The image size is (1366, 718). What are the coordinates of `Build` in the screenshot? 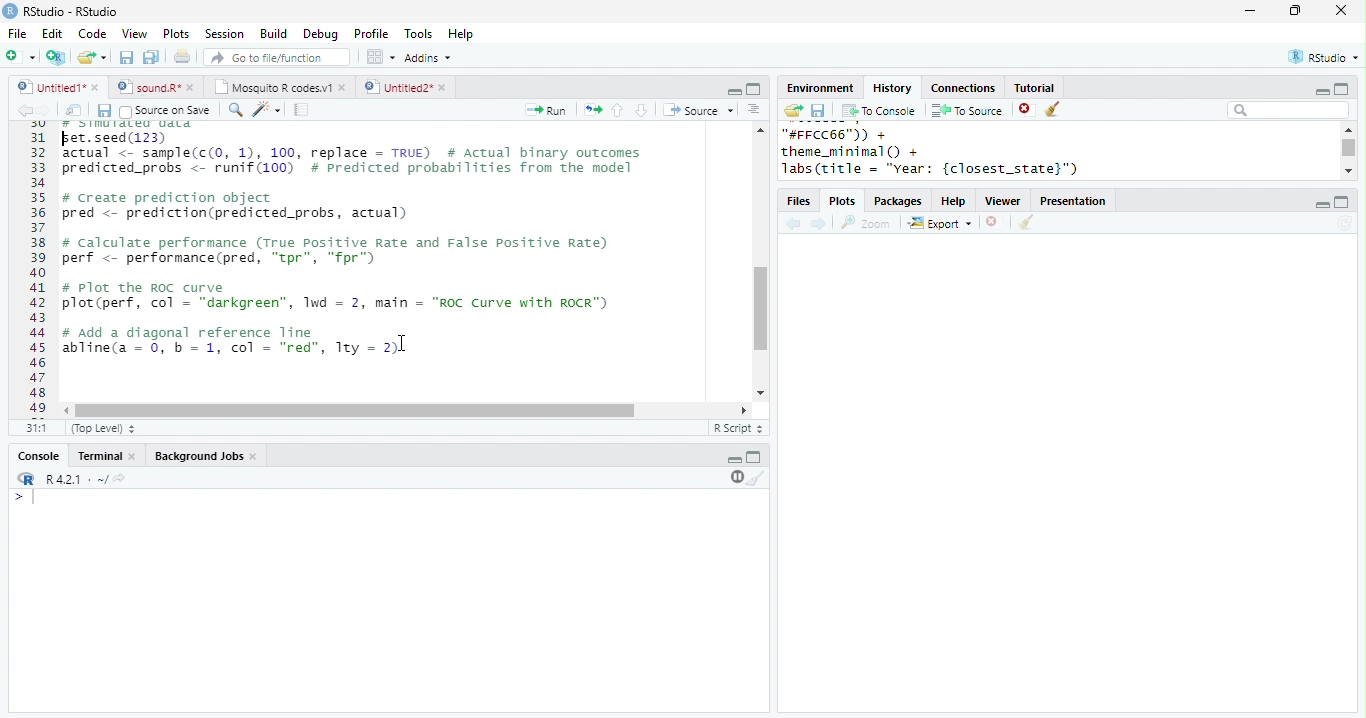 It's located at (273, 34).